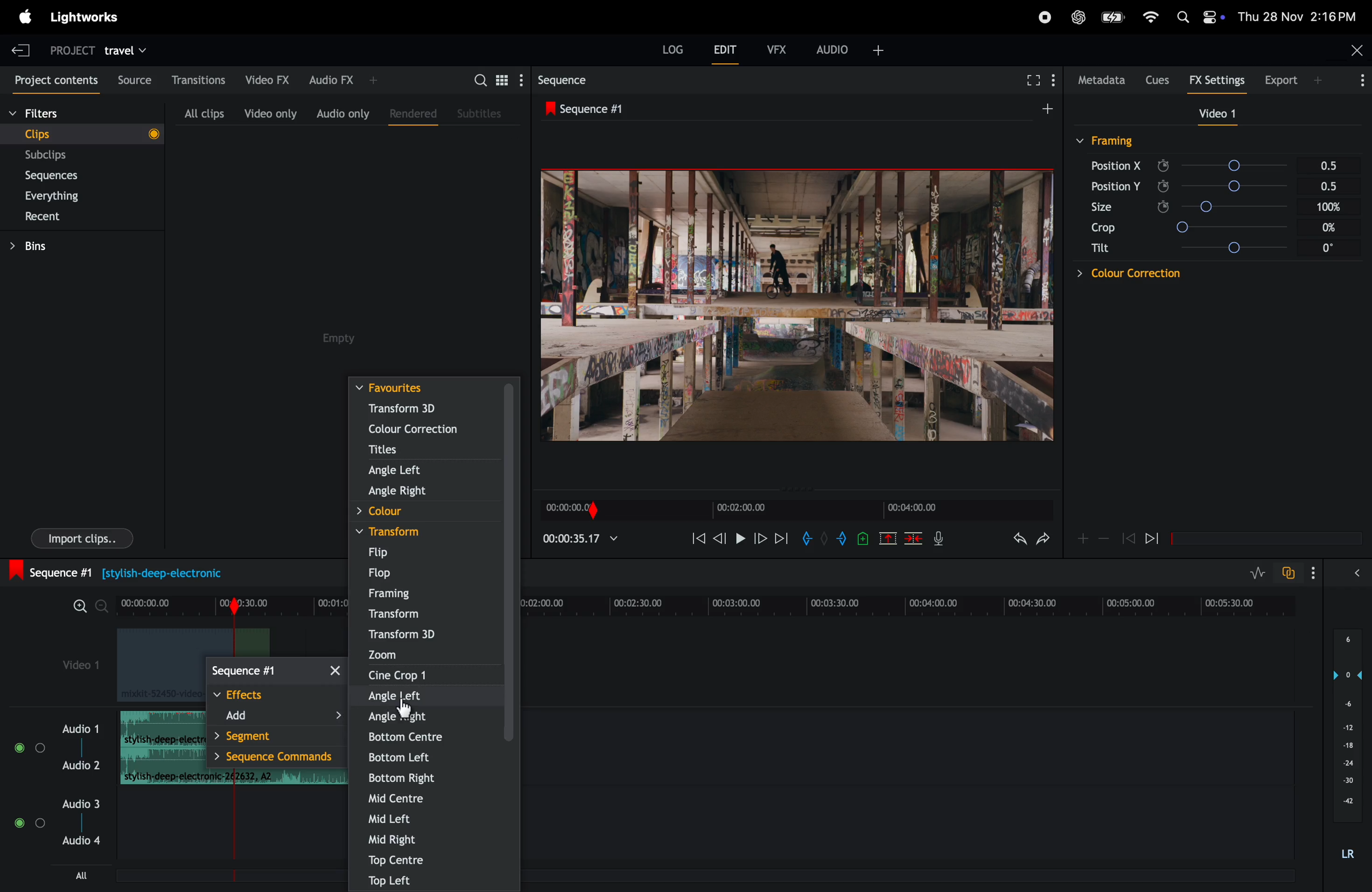  What do you see at coordinates (71, 664) in the screenshot?
I see `video1` at bounding box center [71, 664].